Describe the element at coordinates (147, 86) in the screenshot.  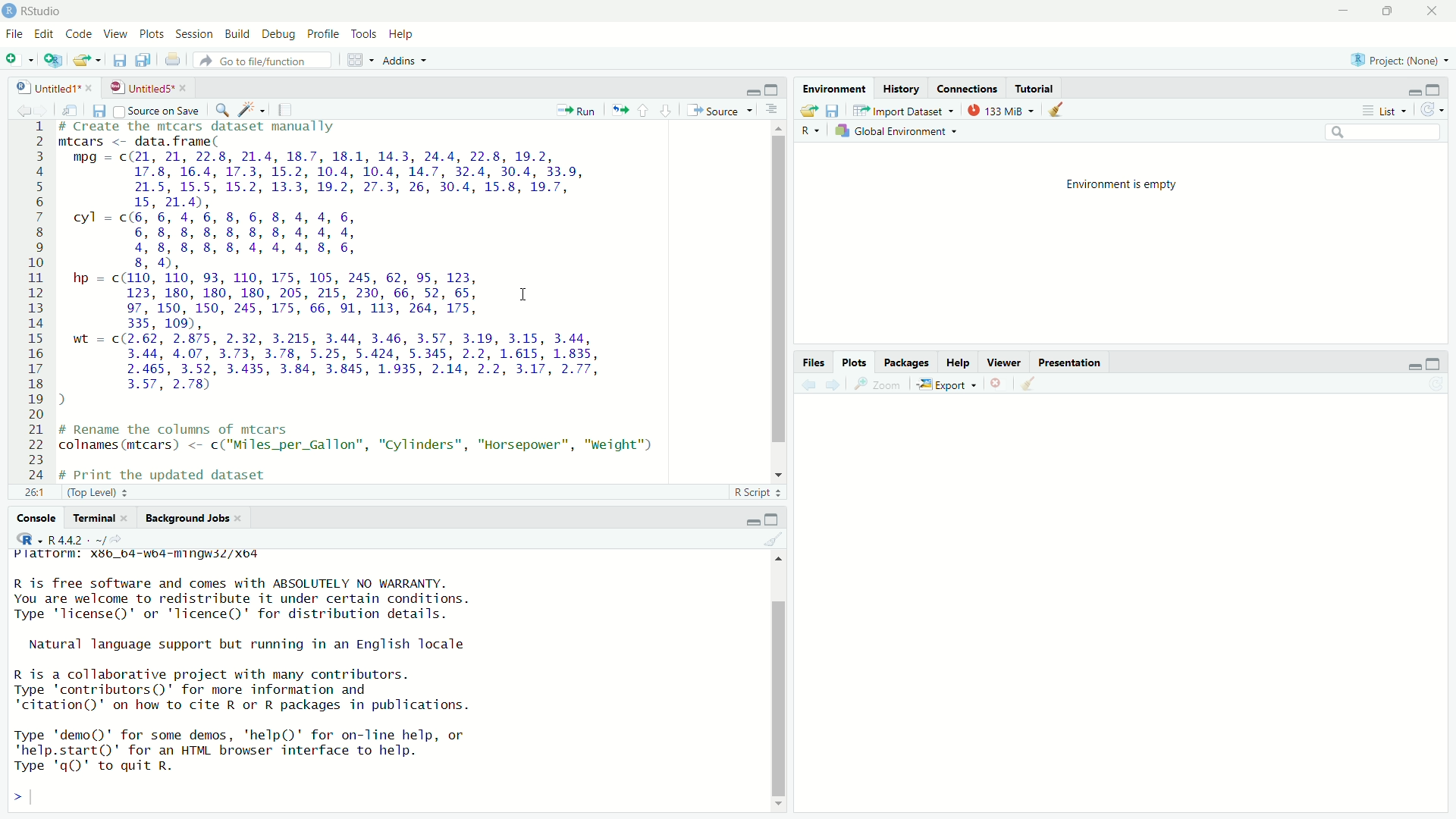
I see `| Untitled5* »` at that location.